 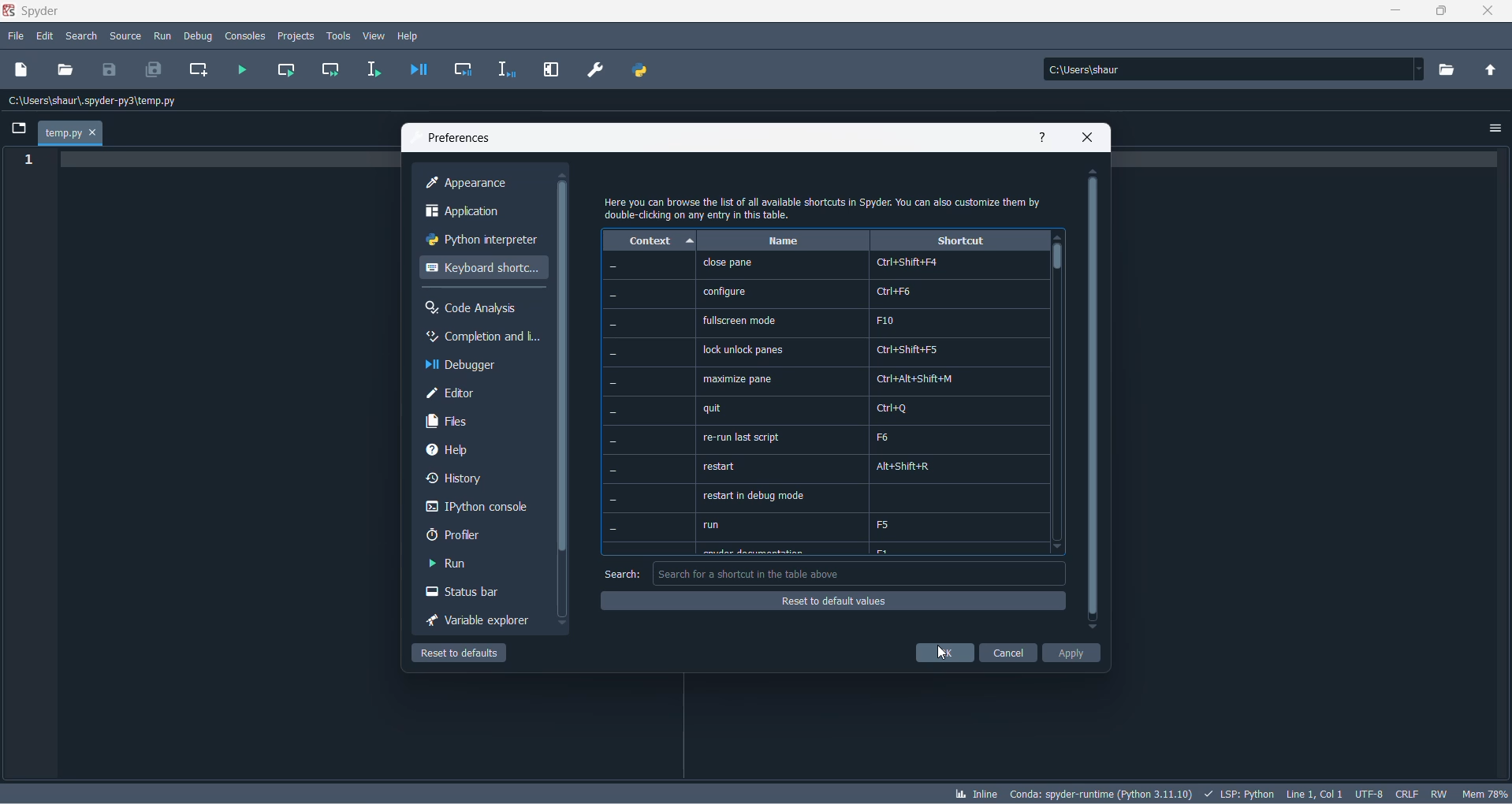 What do you see at coordinates (1451, 70) in the screenshot?
I see `directory` at bounding box center [1451, 70].